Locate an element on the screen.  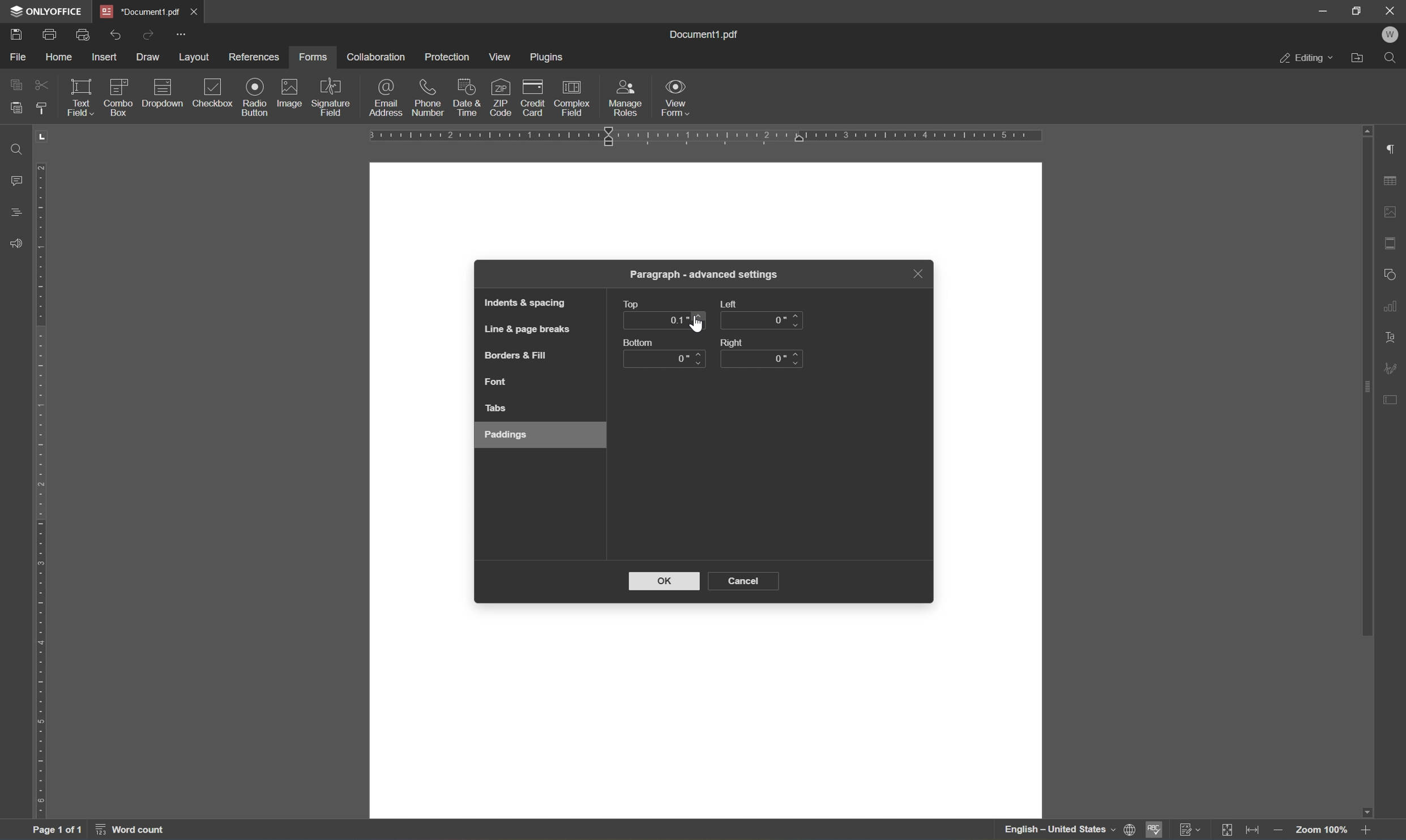
minimize is located at coordinates (1323, 10).